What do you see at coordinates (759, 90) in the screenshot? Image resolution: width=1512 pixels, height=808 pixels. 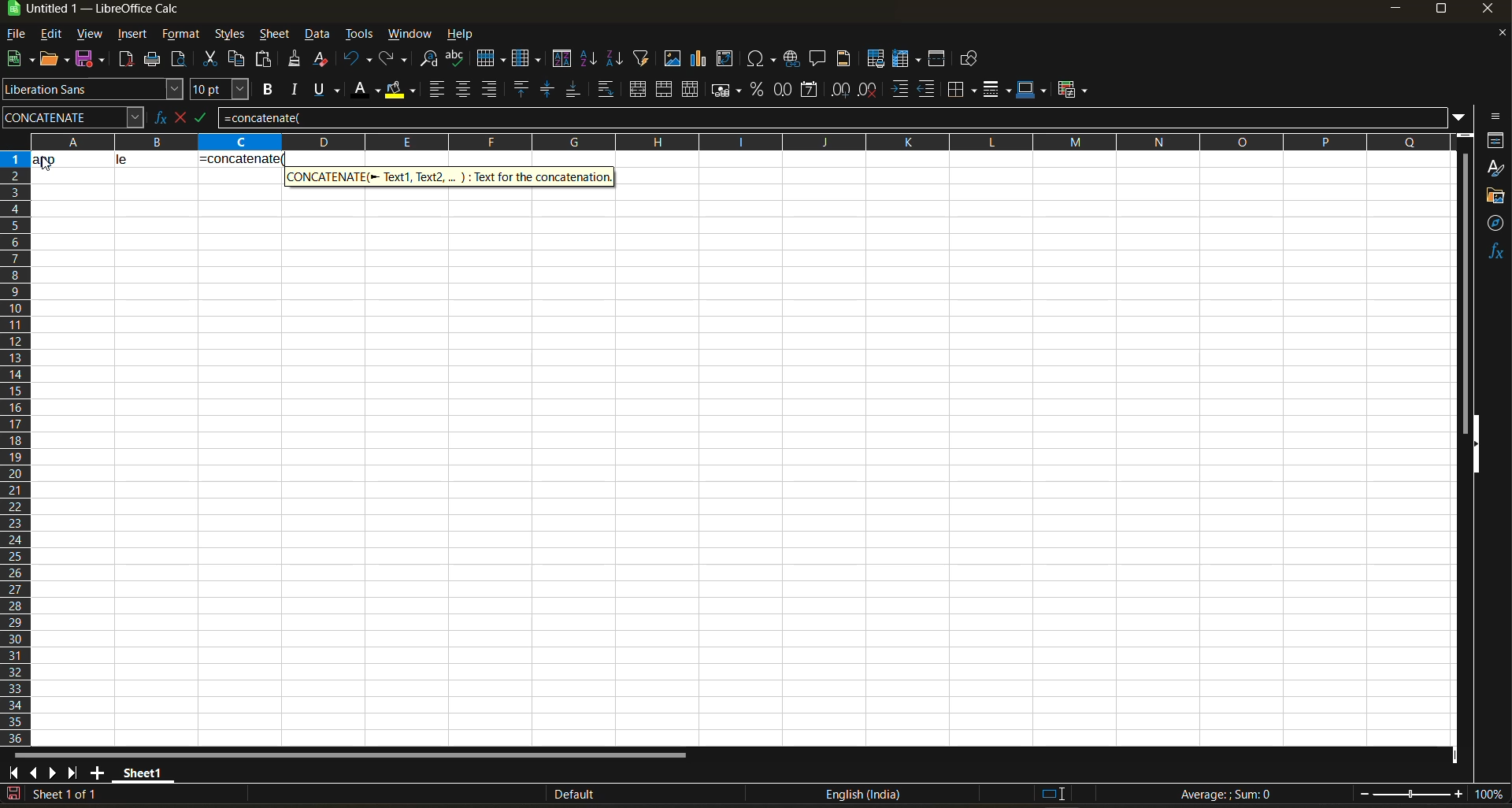 I see `format as percent` at bounding box center [759, 90].